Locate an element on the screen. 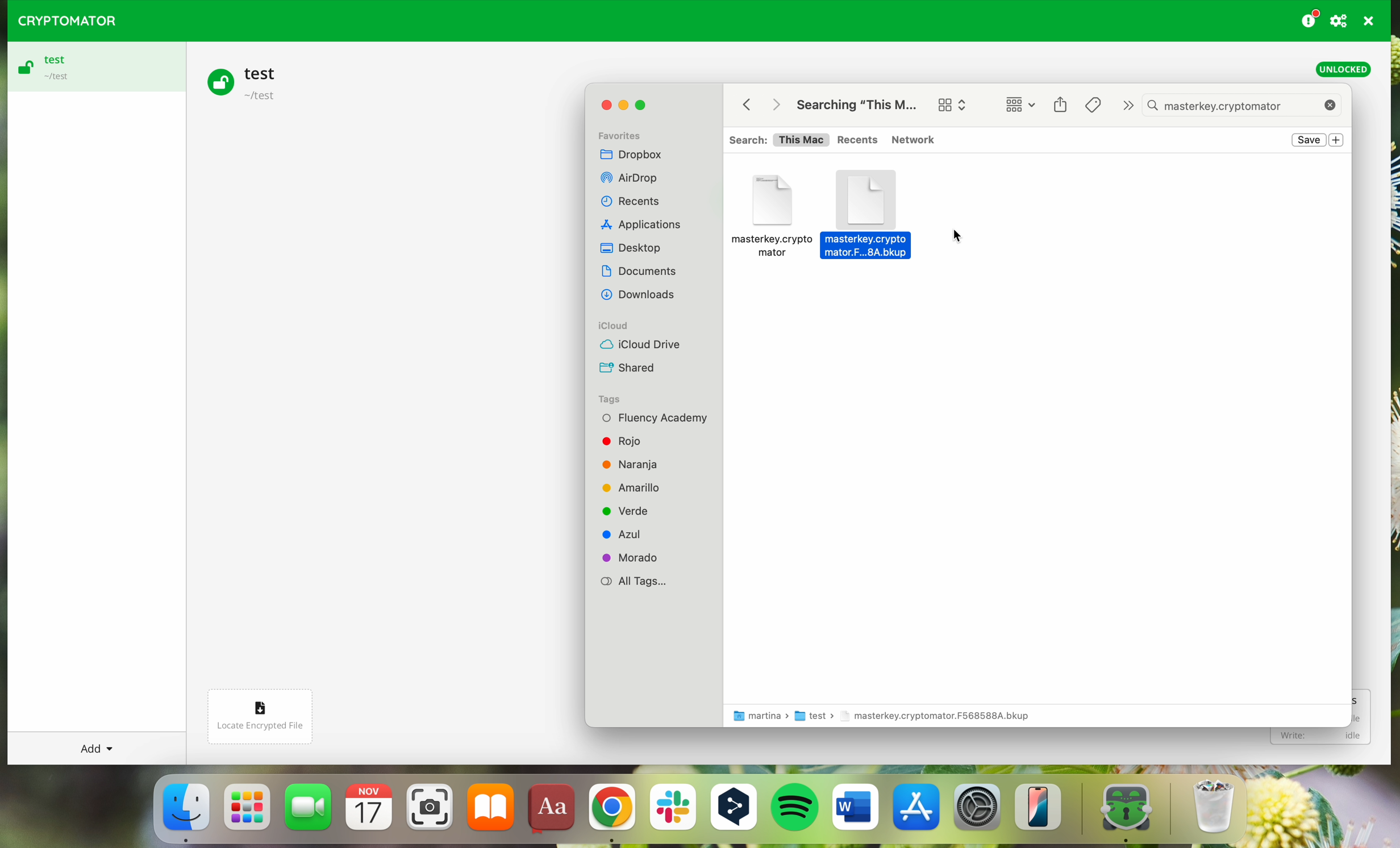  masterkey.cryptomator backup folder selected is located at coordinates (877, 212).